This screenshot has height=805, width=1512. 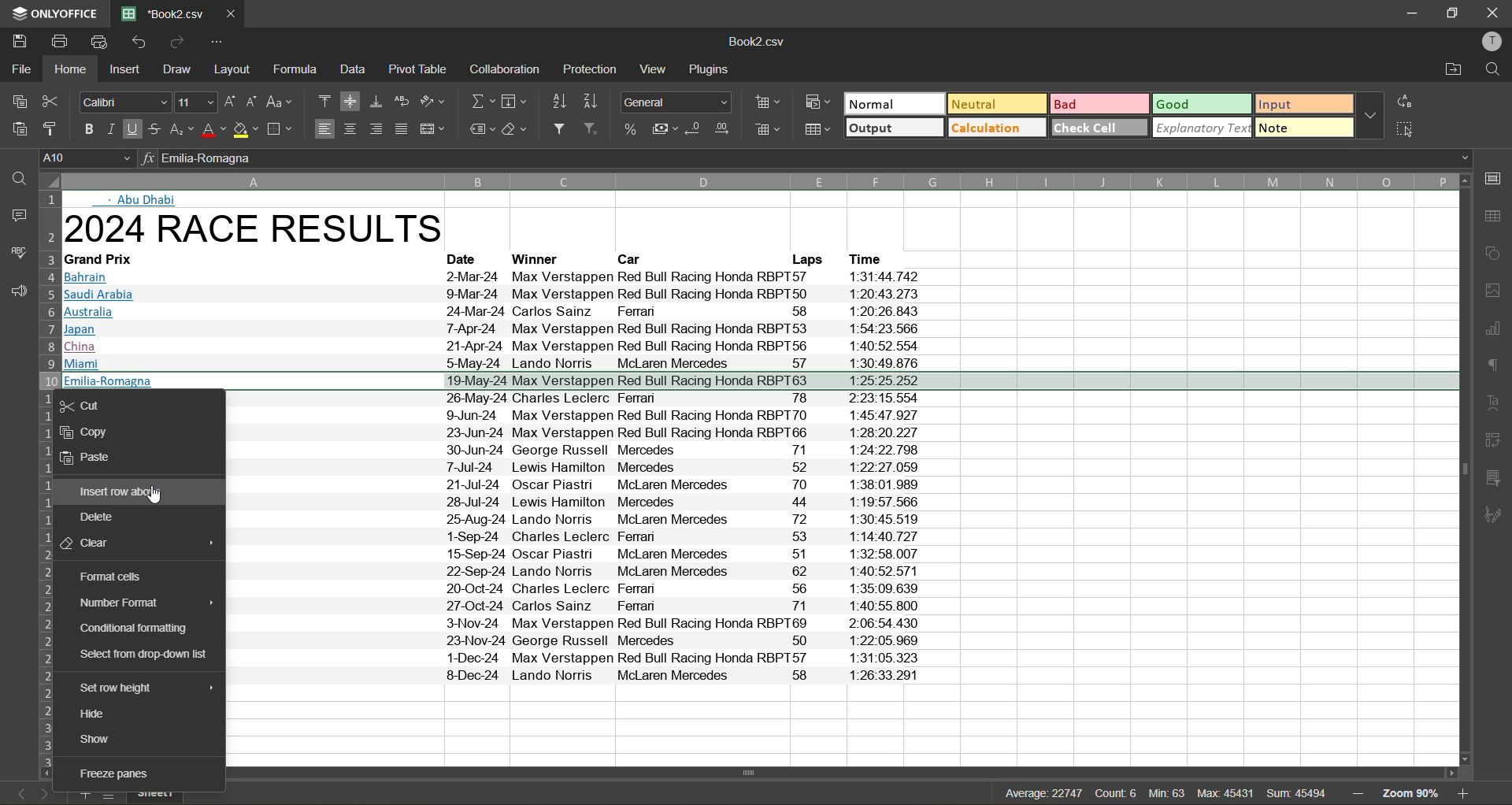 I want to click on print, so click(x=60, y=42).